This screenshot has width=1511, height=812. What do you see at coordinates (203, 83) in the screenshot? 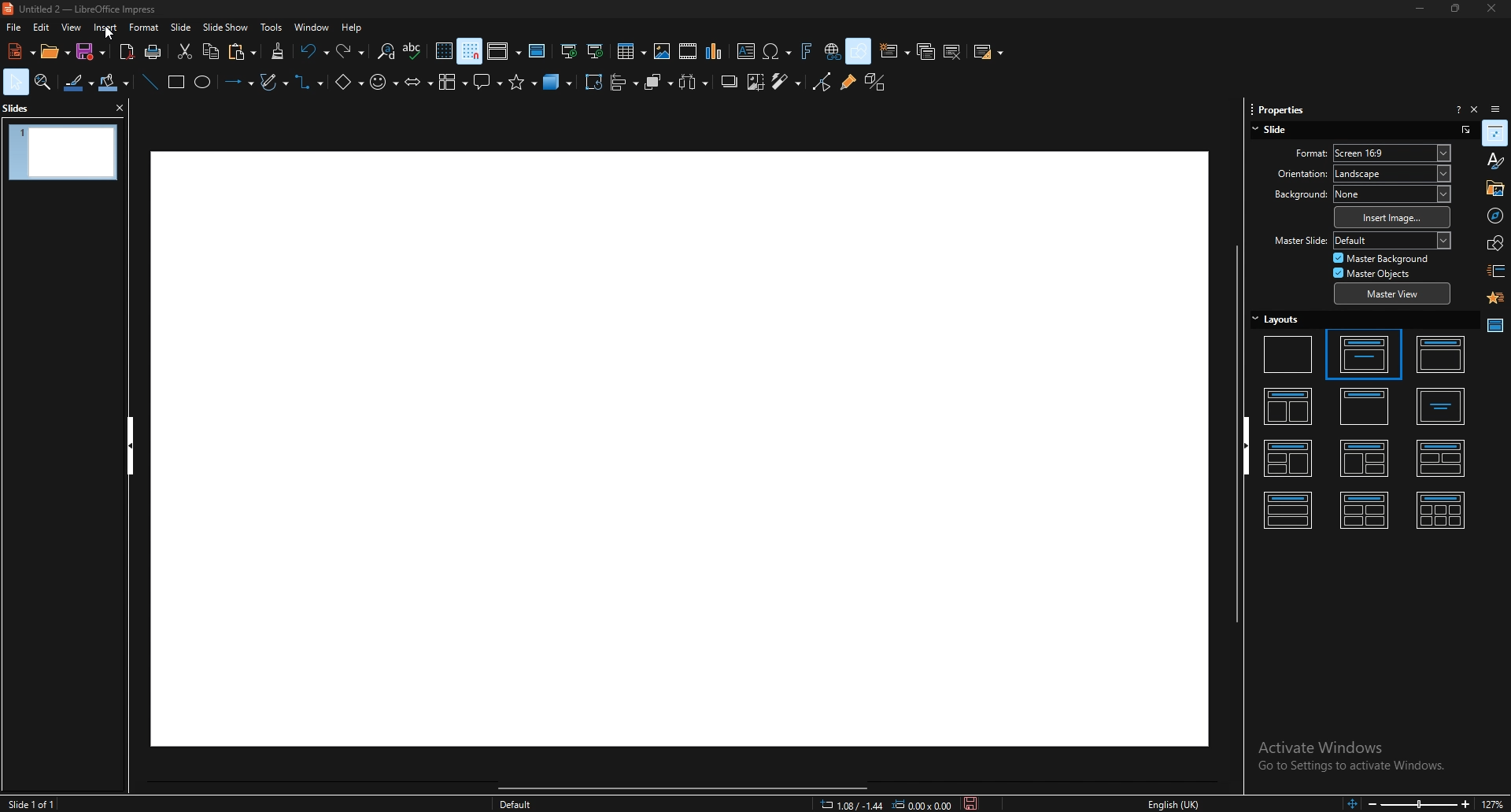
I see `ellipse` at bounding box center [203, 83].